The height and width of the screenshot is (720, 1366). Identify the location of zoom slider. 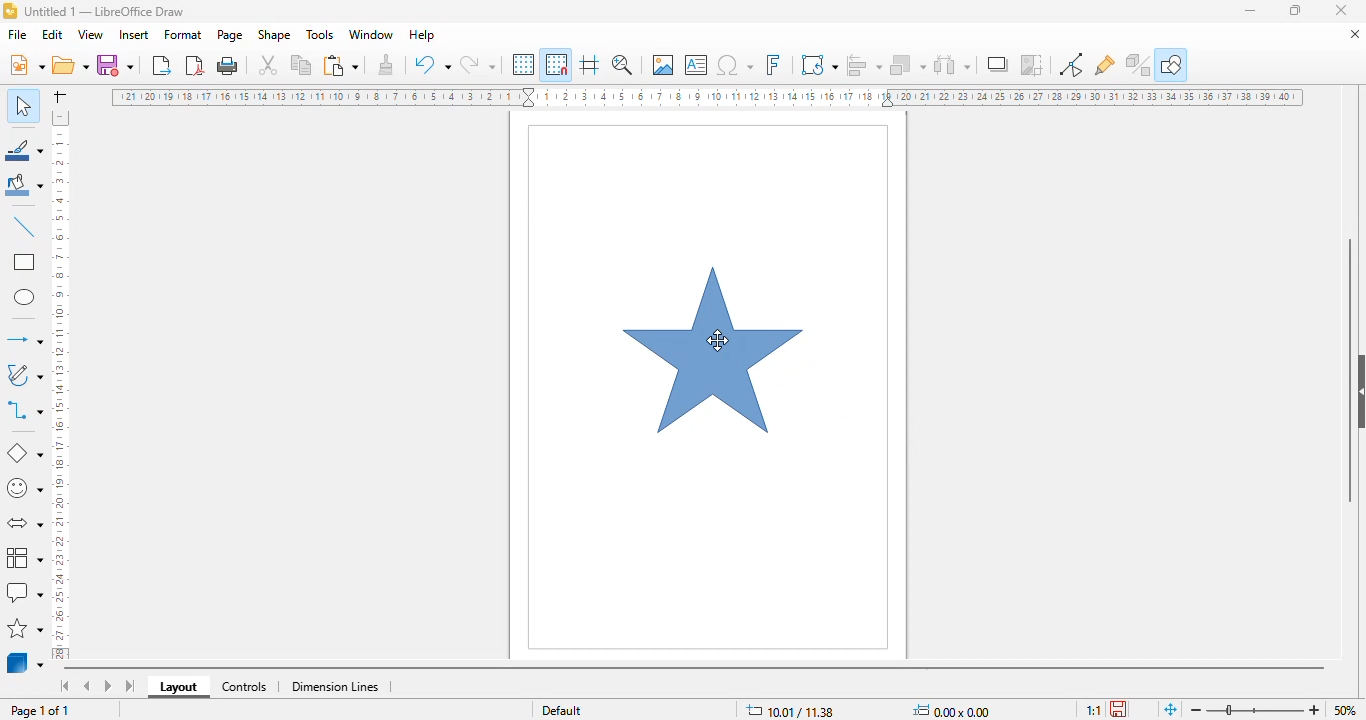
(1255, 711).